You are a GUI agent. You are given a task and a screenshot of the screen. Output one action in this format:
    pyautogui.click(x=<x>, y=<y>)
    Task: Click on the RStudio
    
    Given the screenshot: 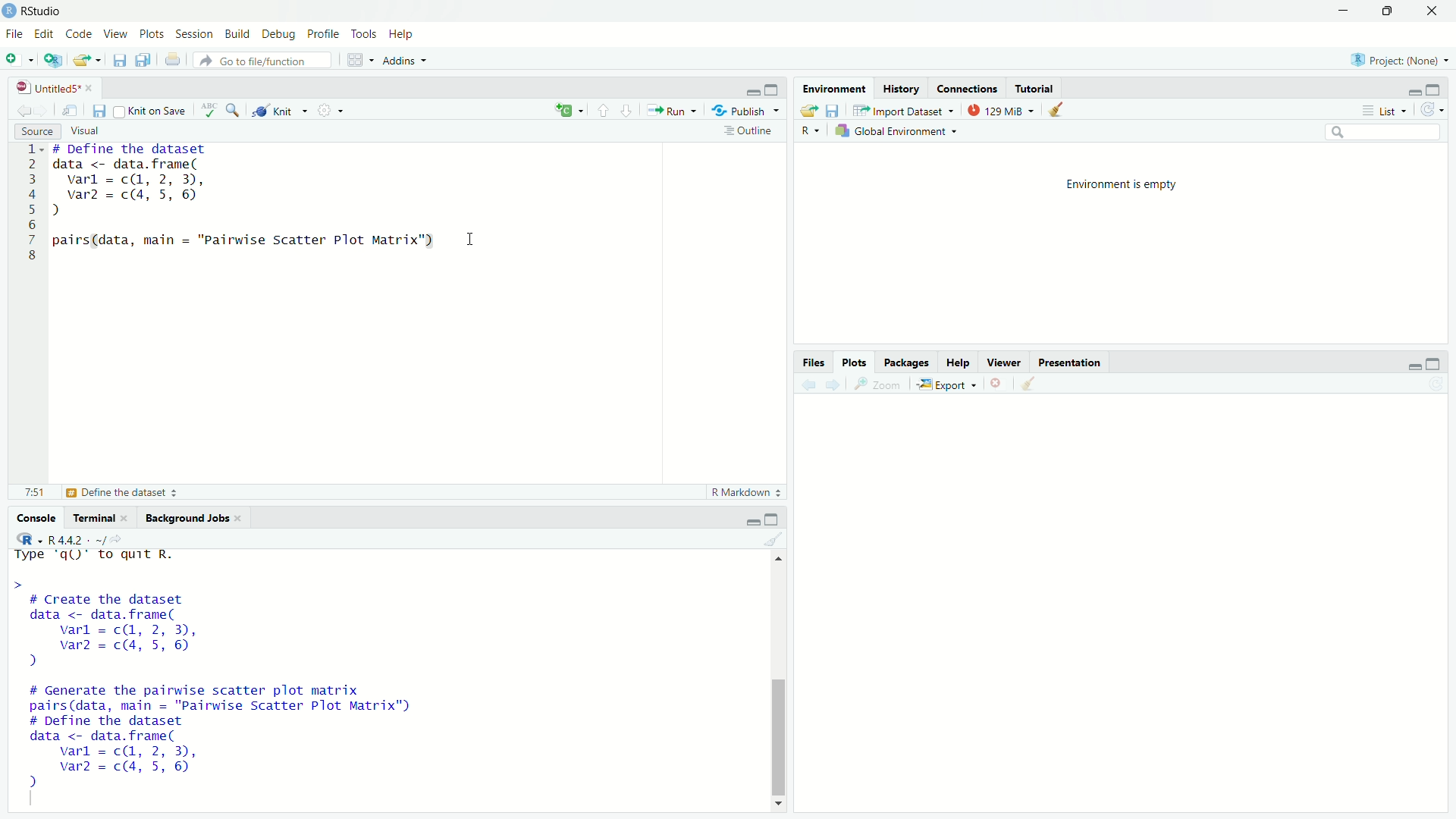 What is the action you would take?
    pyautogui.click(x=38, y=11)
    